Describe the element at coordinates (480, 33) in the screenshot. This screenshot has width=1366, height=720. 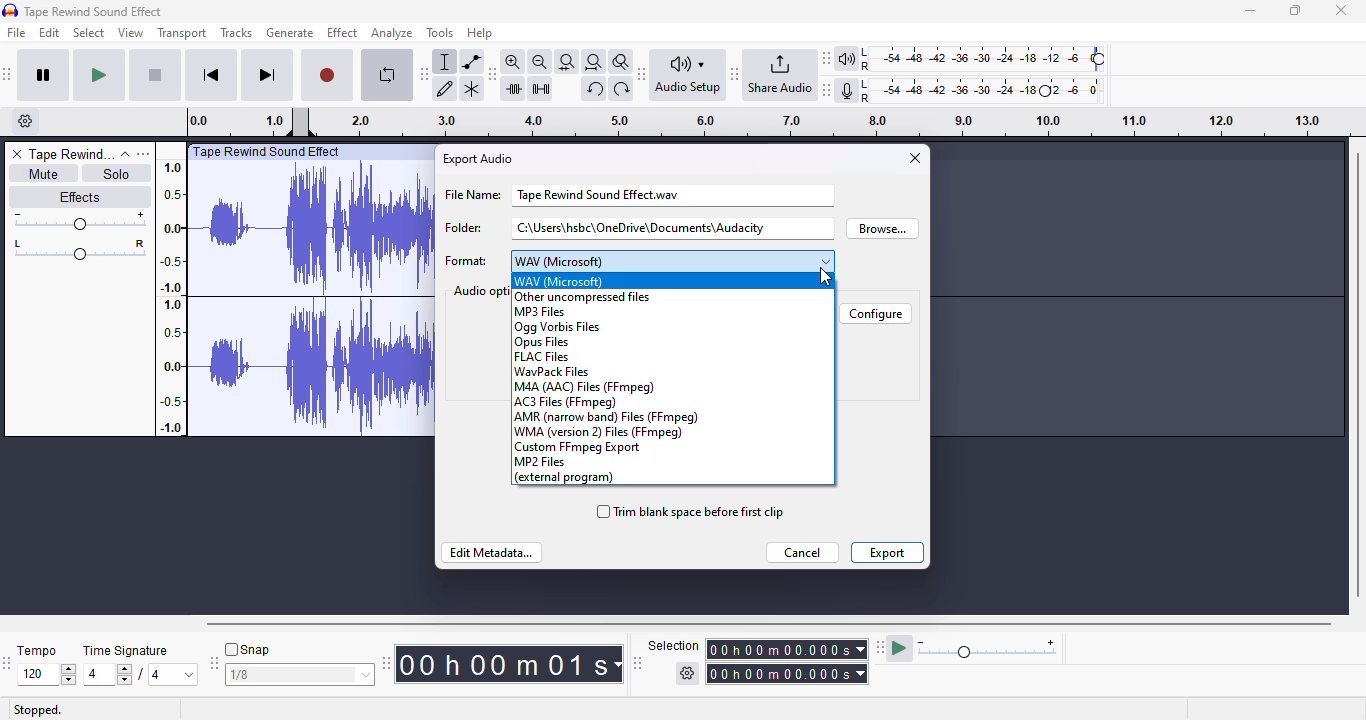
I see `help` at that location.